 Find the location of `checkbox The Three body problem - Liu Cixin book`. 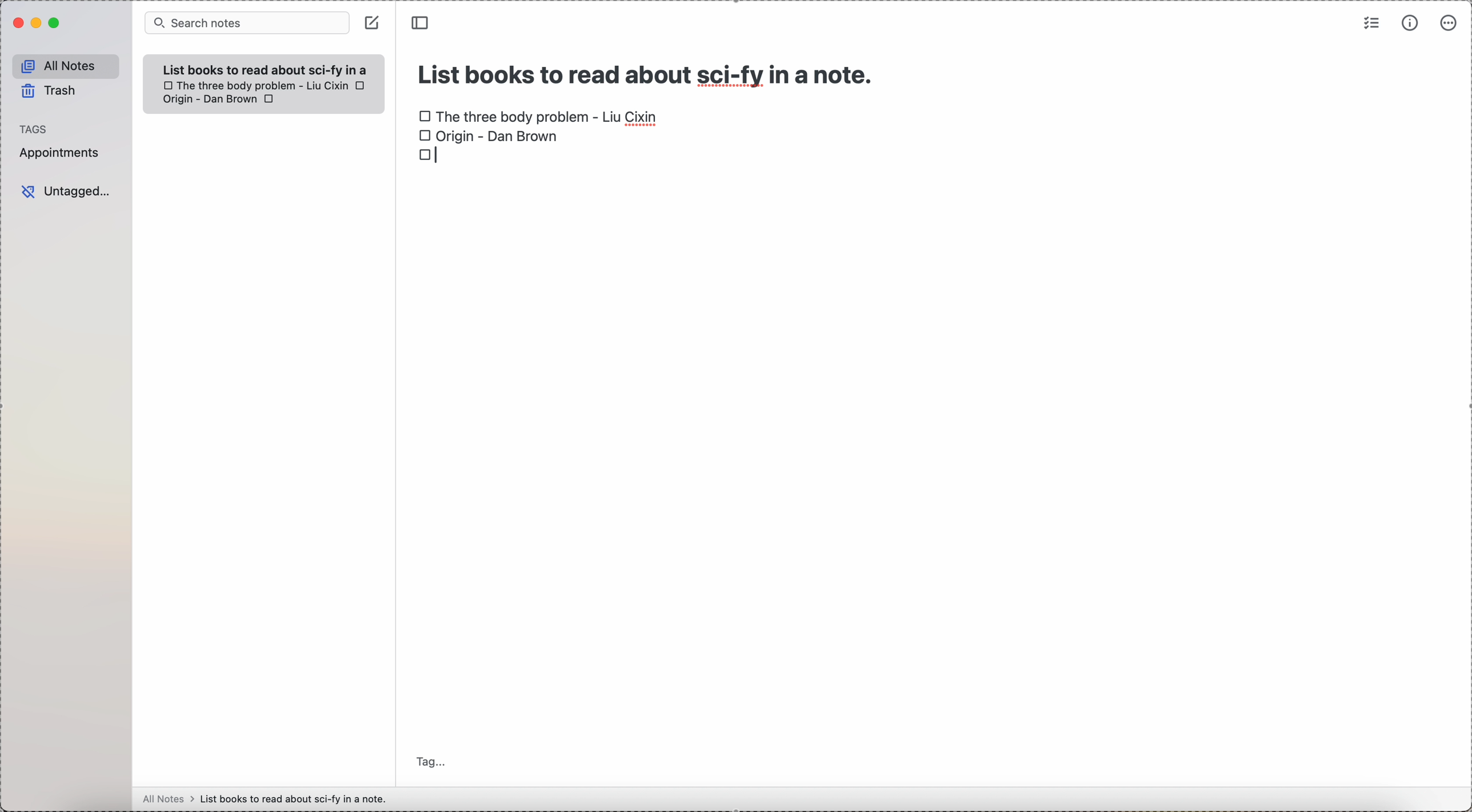

checkbox The Three body problem - Liu Cixin book is located at coordinates (539, 114).